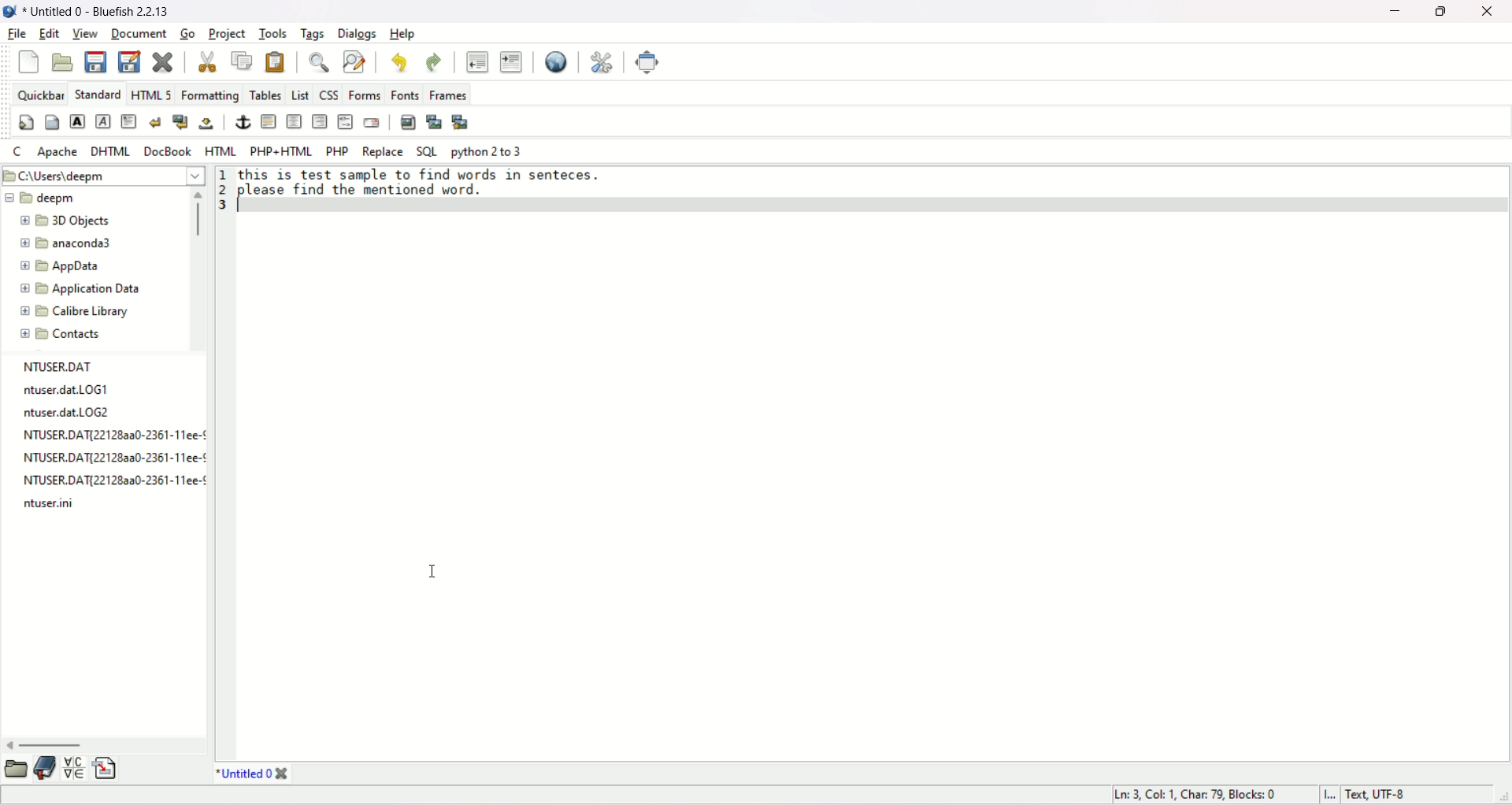  I want to click on documentation, so click(44, 769).